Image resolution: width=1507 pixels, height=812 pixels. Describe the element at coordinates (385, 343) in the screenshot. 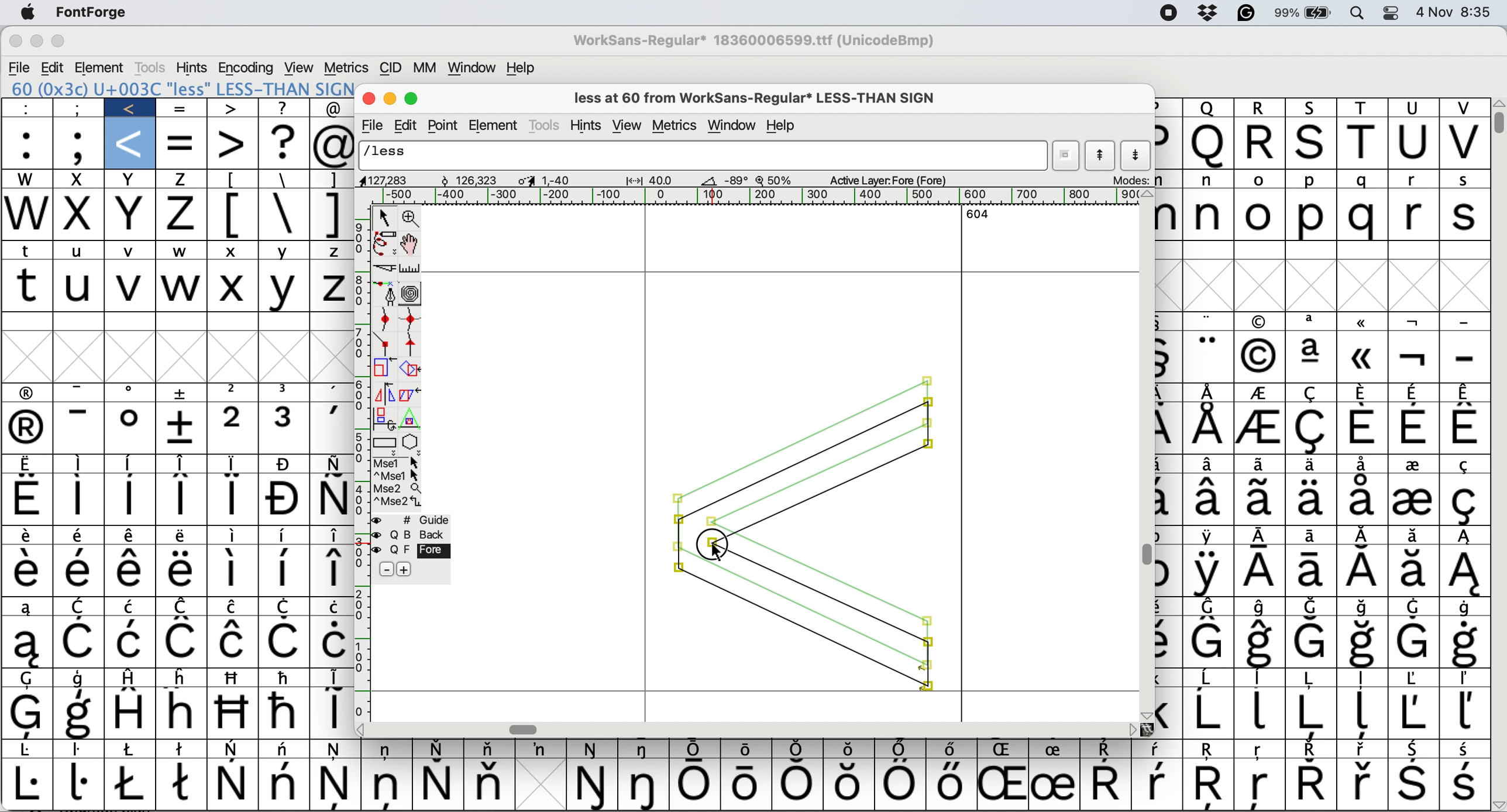

I see `commer point` at that location.